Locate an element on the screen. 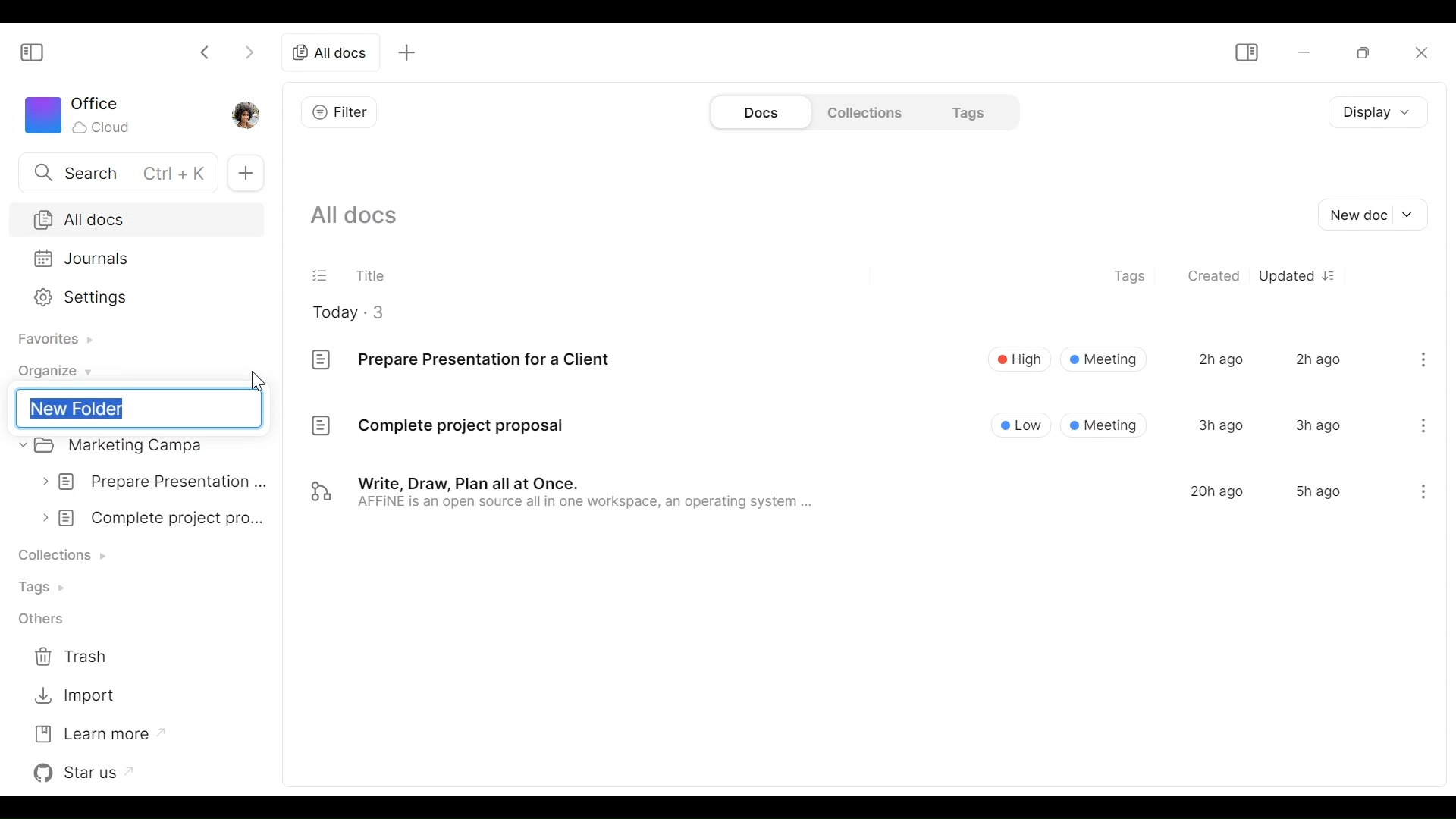  menu icon is located at coordinates (1421, 494).